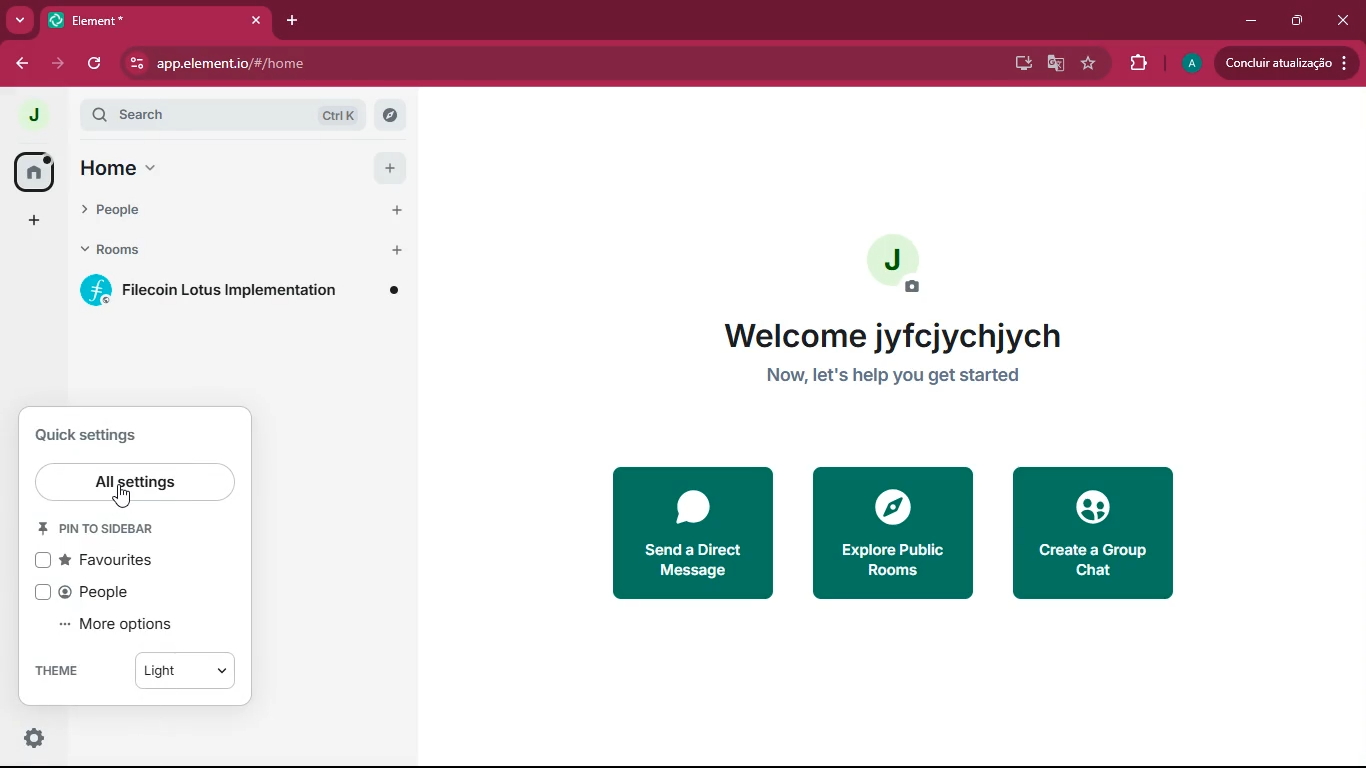 The image size is (1366, 768). Describe the element at coordinates (90, 434) in the screenshot. I see `quick settings` at that location.